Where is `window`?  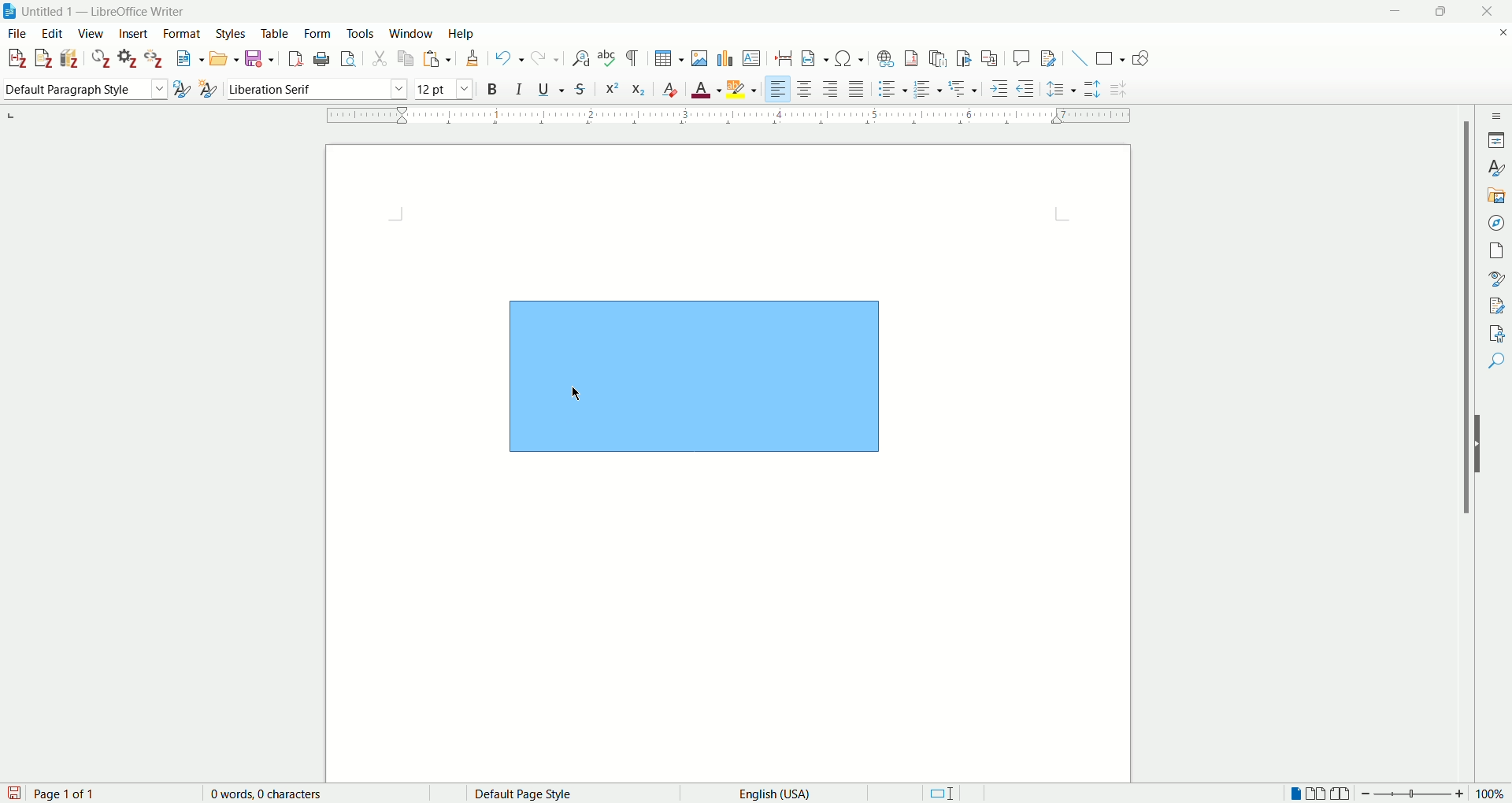
window is located at coordinates (410, 32).